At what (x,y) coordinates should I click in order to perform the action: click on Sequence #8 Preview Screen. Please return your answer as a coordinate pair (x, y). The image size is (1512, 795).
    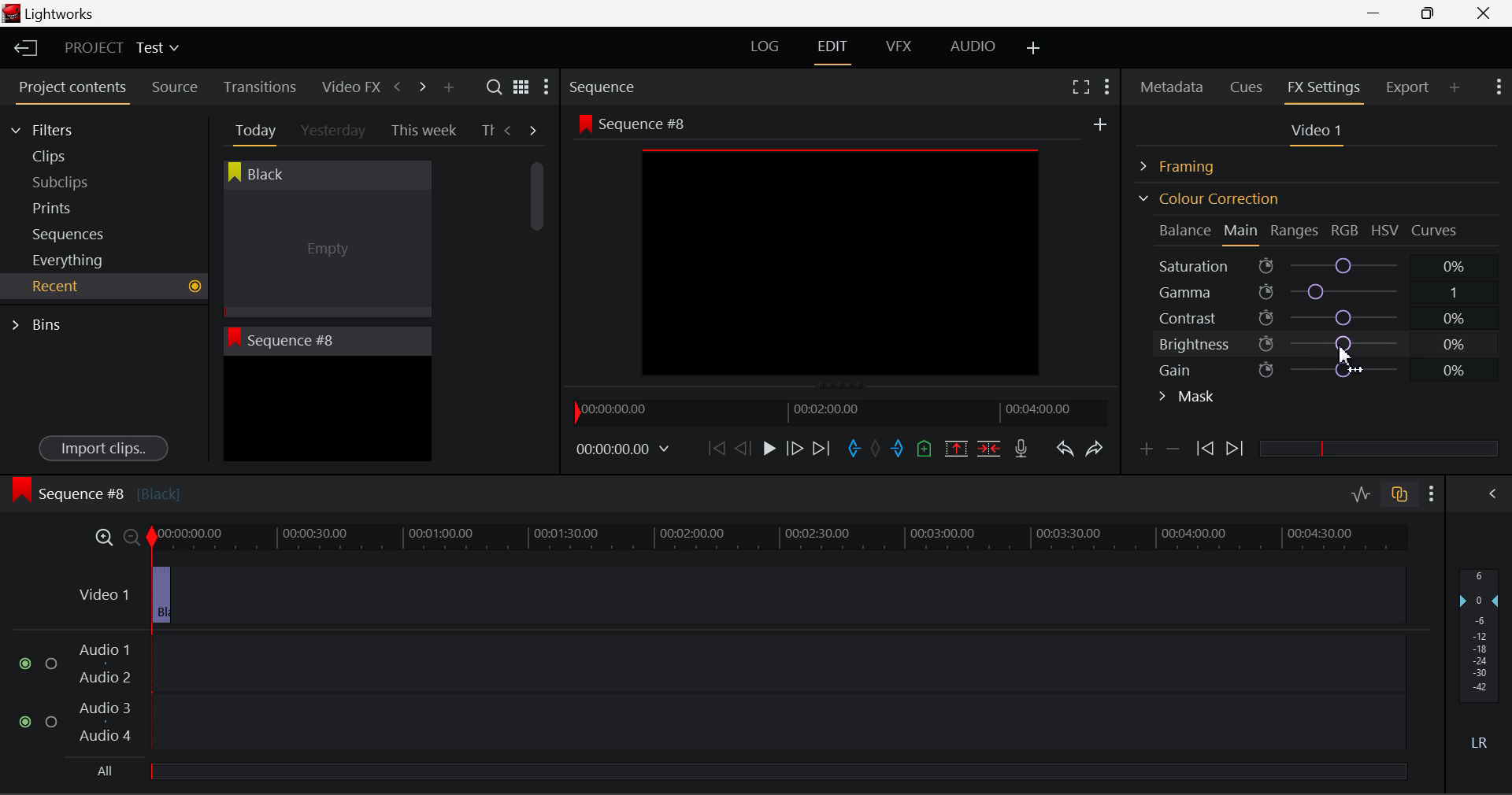
    Looking at the image, I should click on (841, 250).